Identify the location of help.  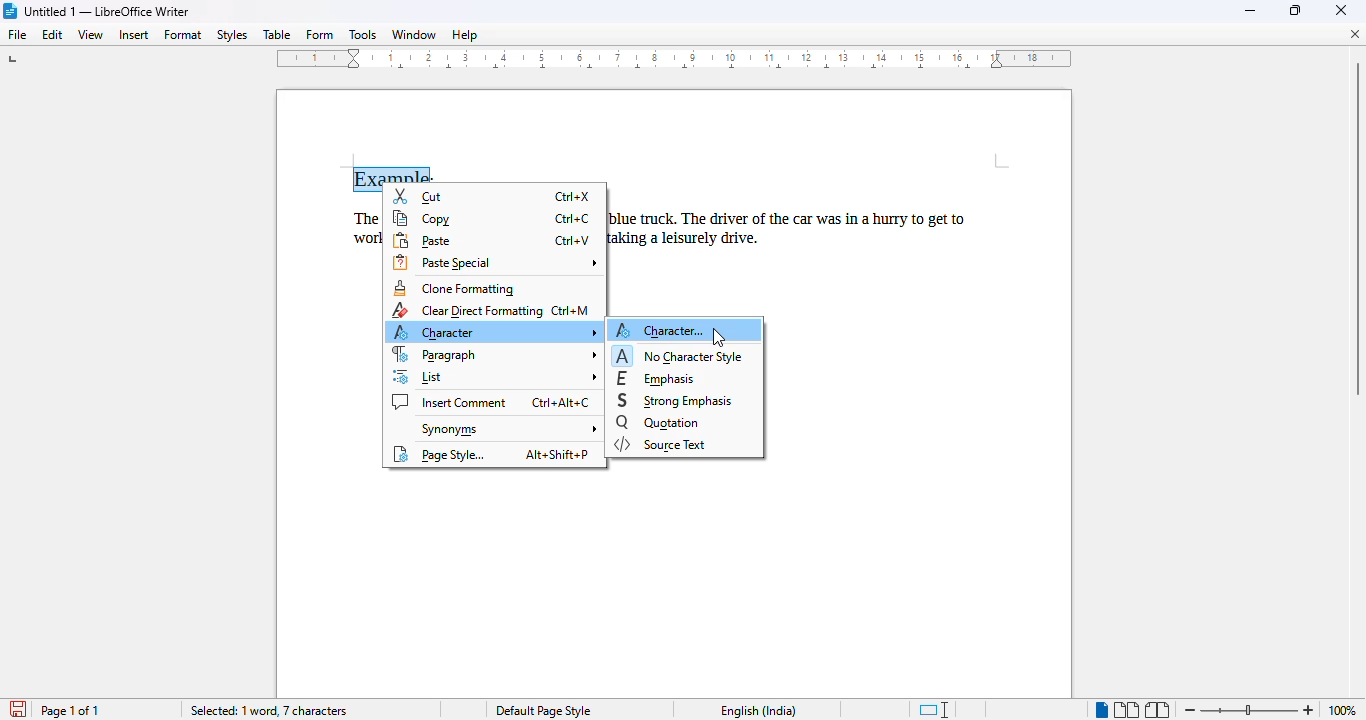
(465, 35).